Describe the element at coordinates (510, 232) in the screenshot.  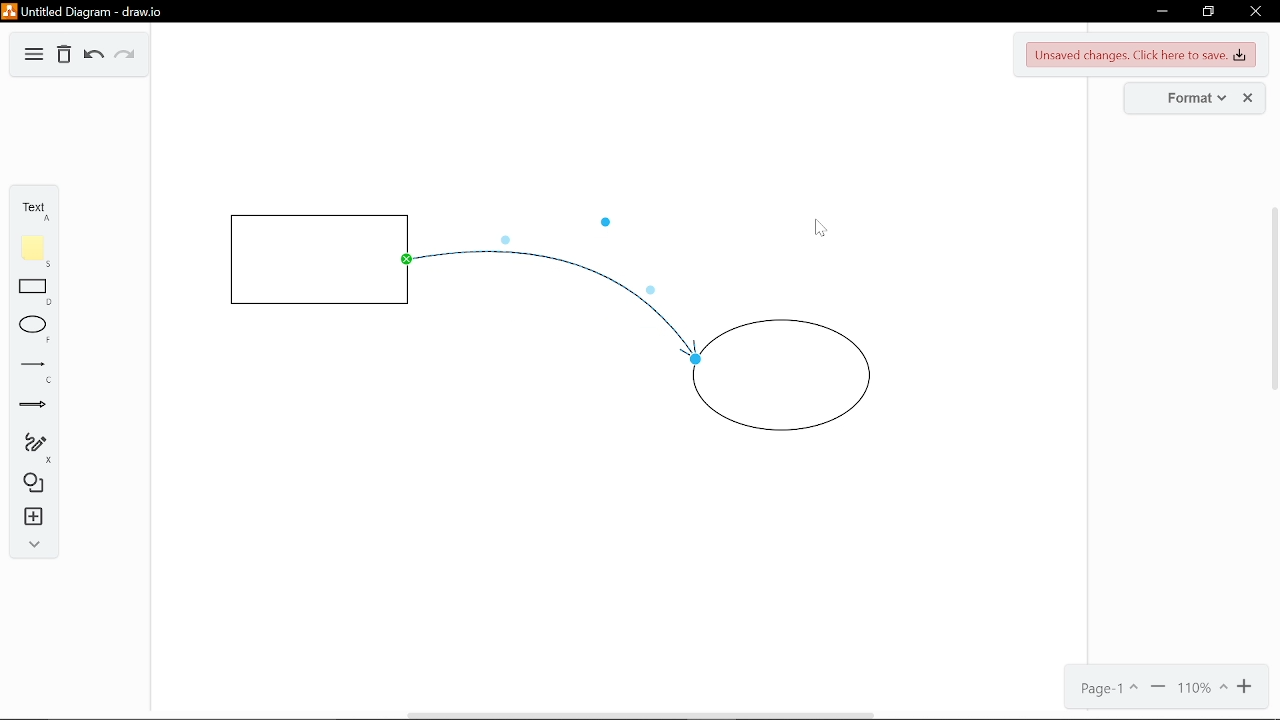
I see `Bending point` at that location.